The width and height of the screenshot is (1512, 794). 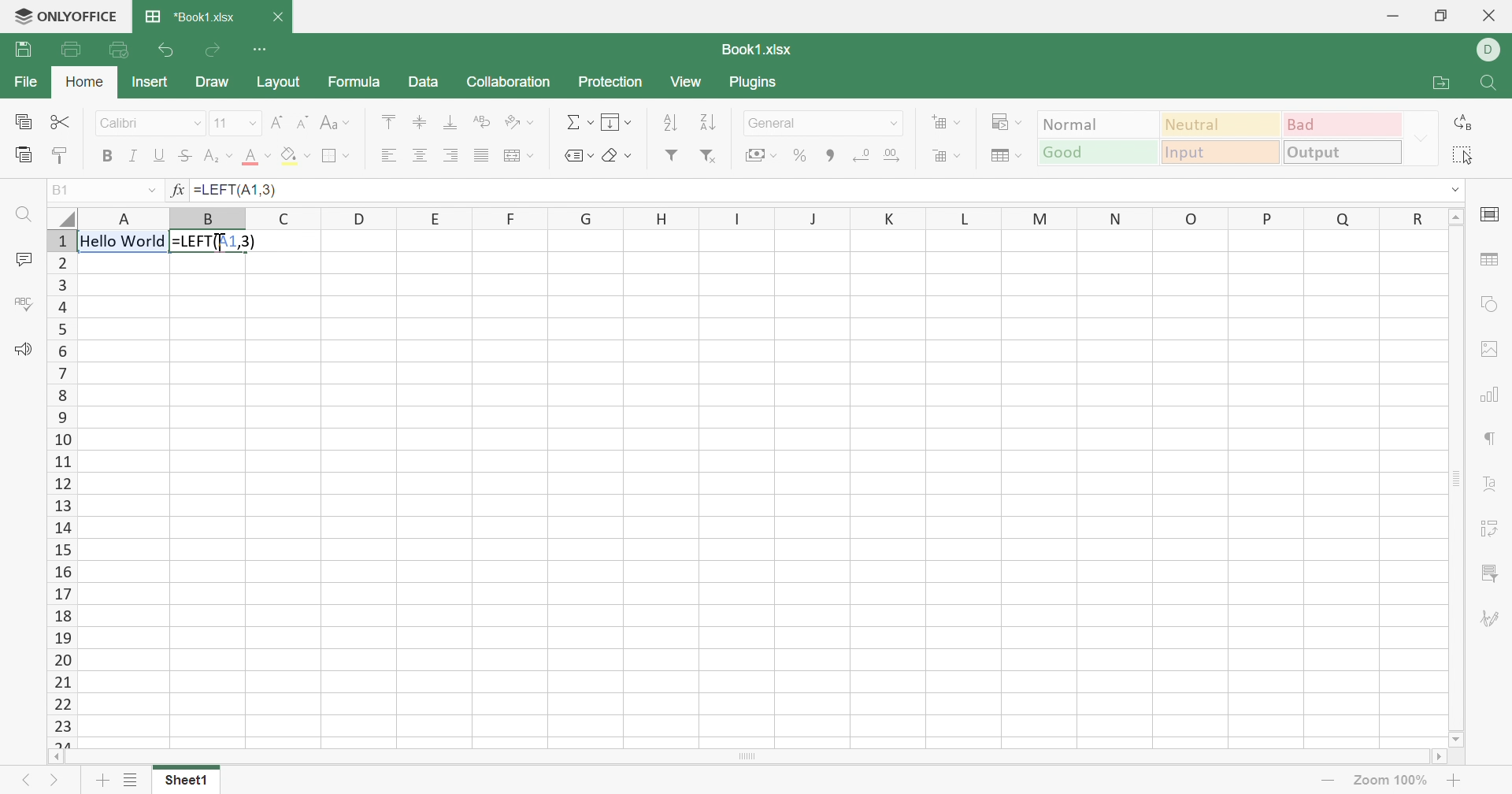 I want to click on Change case, so click(x=335, y=122).